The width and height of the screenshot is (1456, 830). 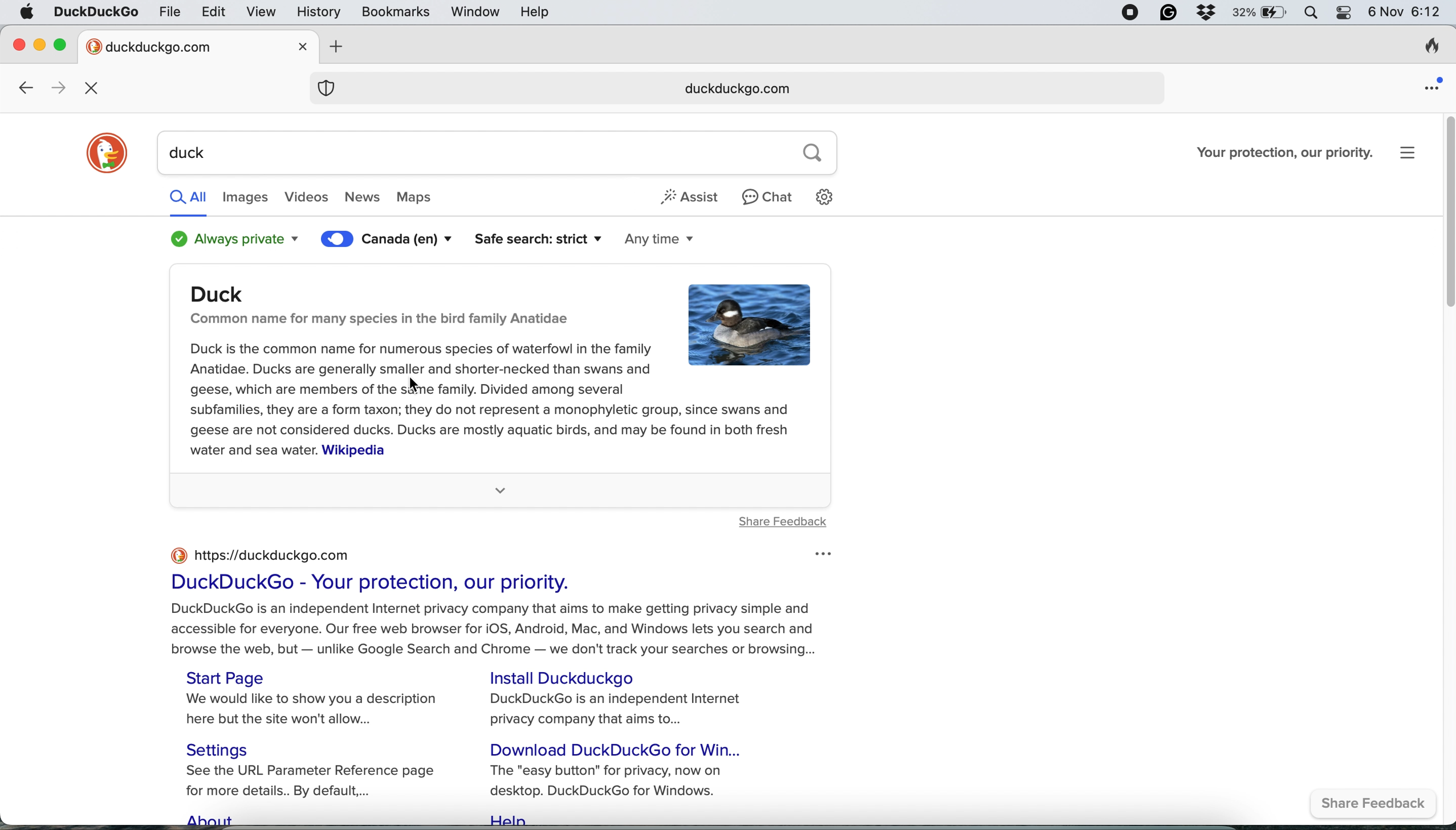 I want to click on control center, so click(x=1344, y=14).